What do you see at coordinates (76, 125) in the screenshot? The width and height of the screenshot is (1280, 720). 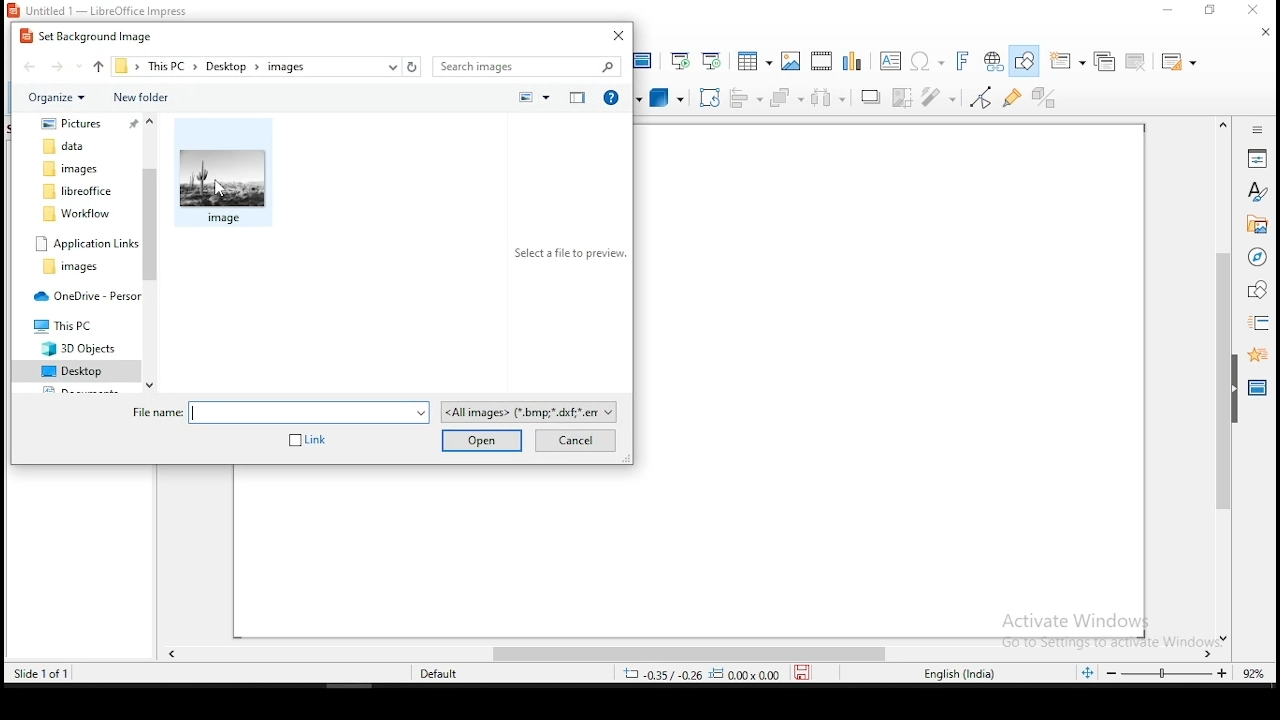 I see `pictures` at bounding box center [76, 125].